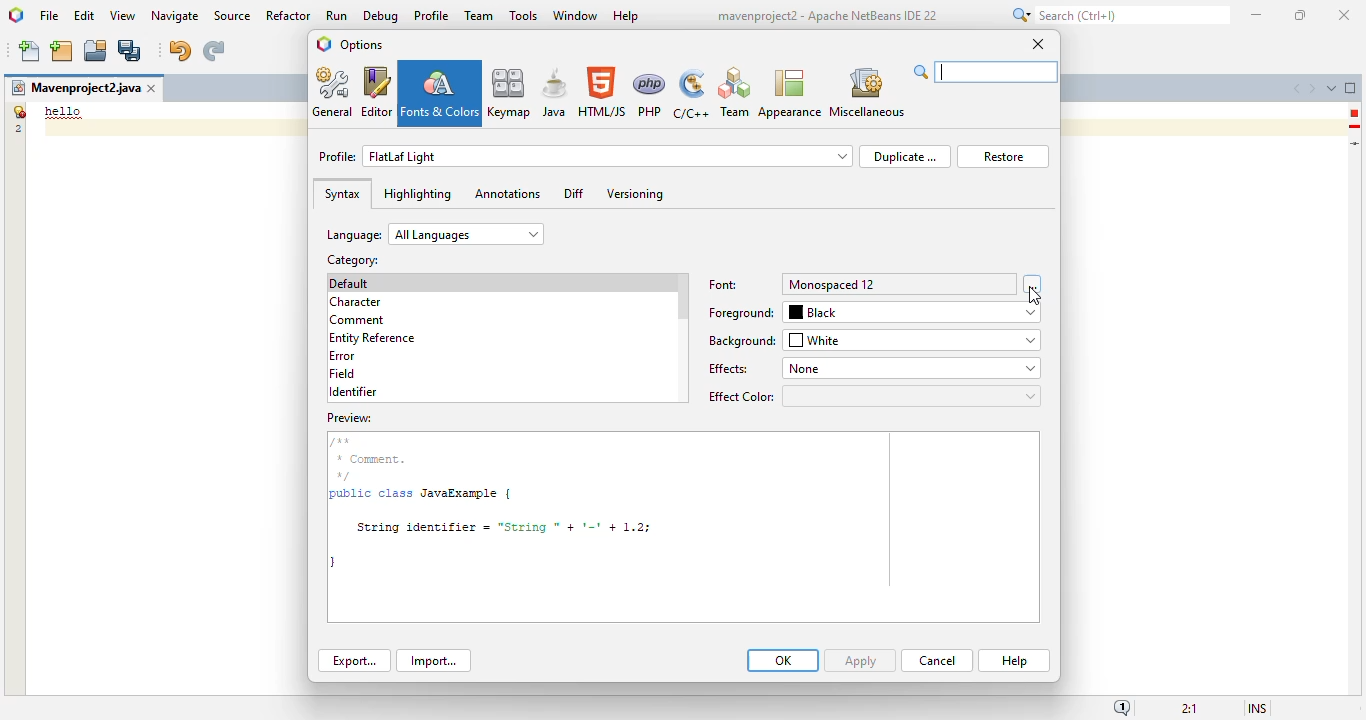 This screenshot has width=1366, height=720. I want to click on current line, so click(1356, 143).